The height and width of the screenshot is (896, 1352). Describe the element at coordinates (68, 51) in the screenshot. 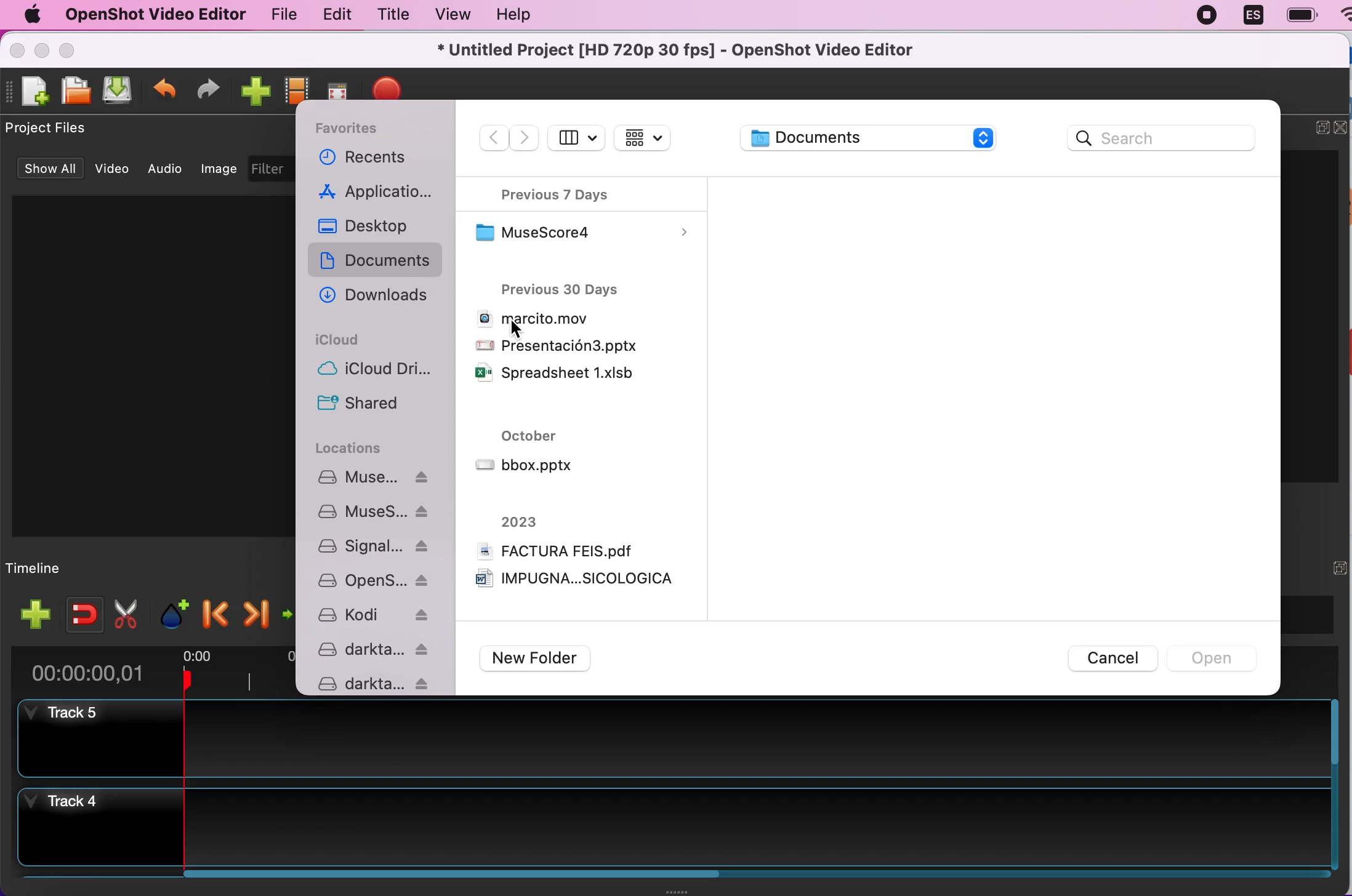

I see `maximize` at that location.